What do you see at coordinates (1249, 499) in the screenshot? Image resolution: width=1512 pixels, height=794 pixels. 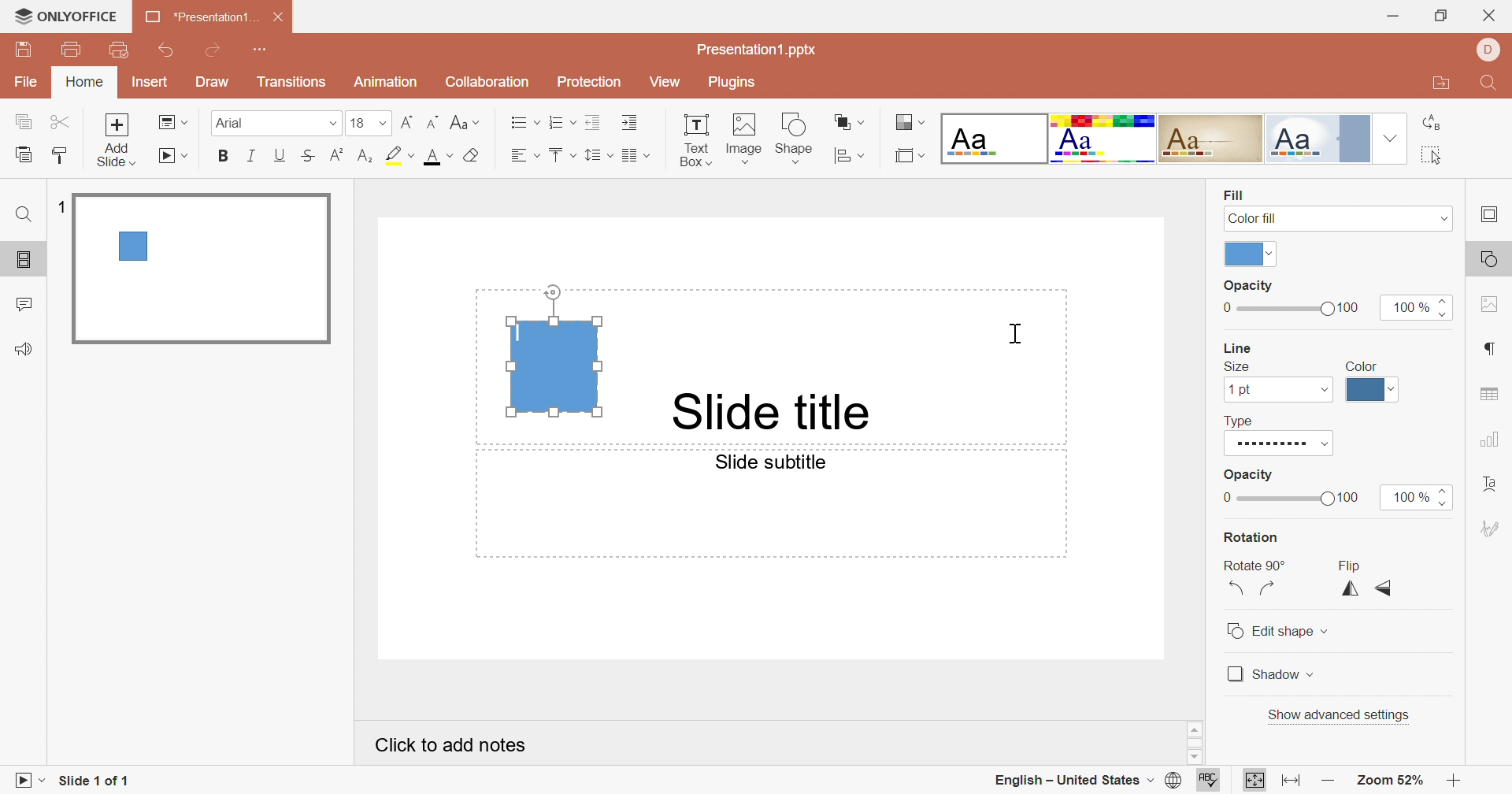 I see `Slider` at bounding box center [1249, 499].